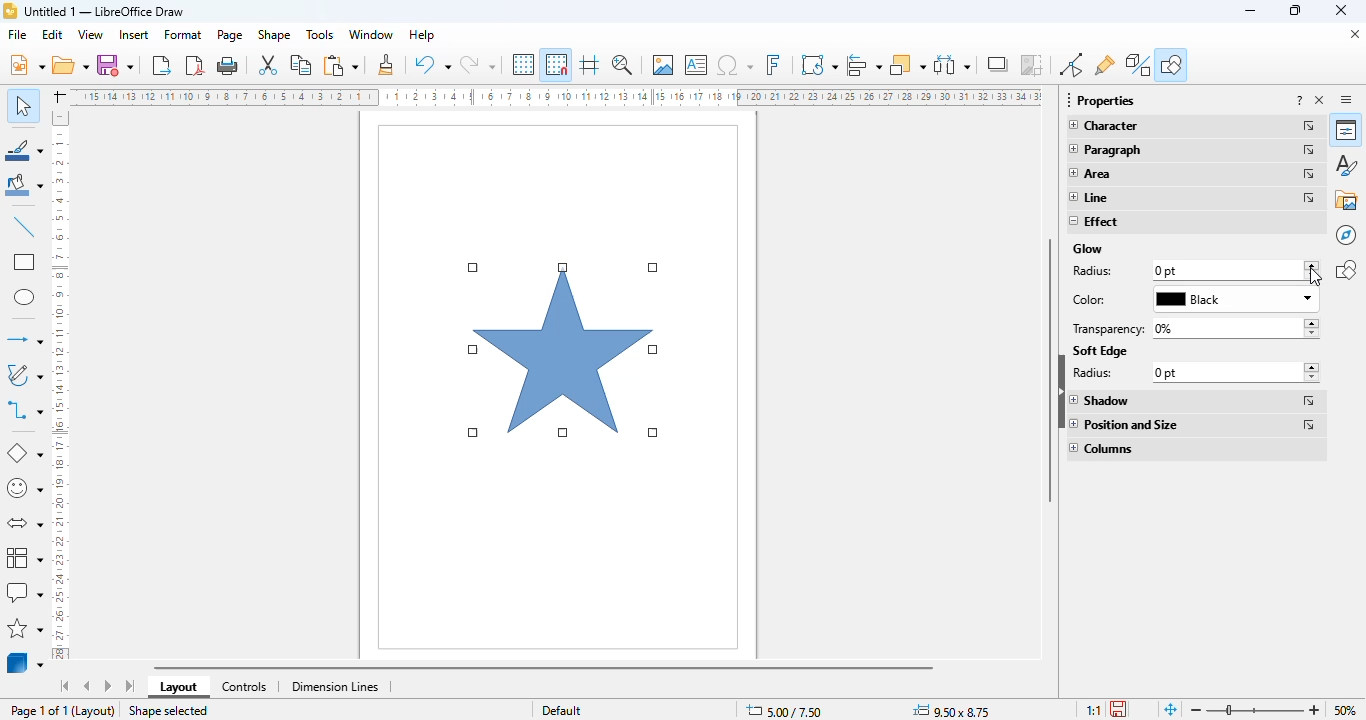 This screenshot has width=1366, height=720. Describe the element at coordinates (1312, 266) in the screenshot. I see `increase` at that location.